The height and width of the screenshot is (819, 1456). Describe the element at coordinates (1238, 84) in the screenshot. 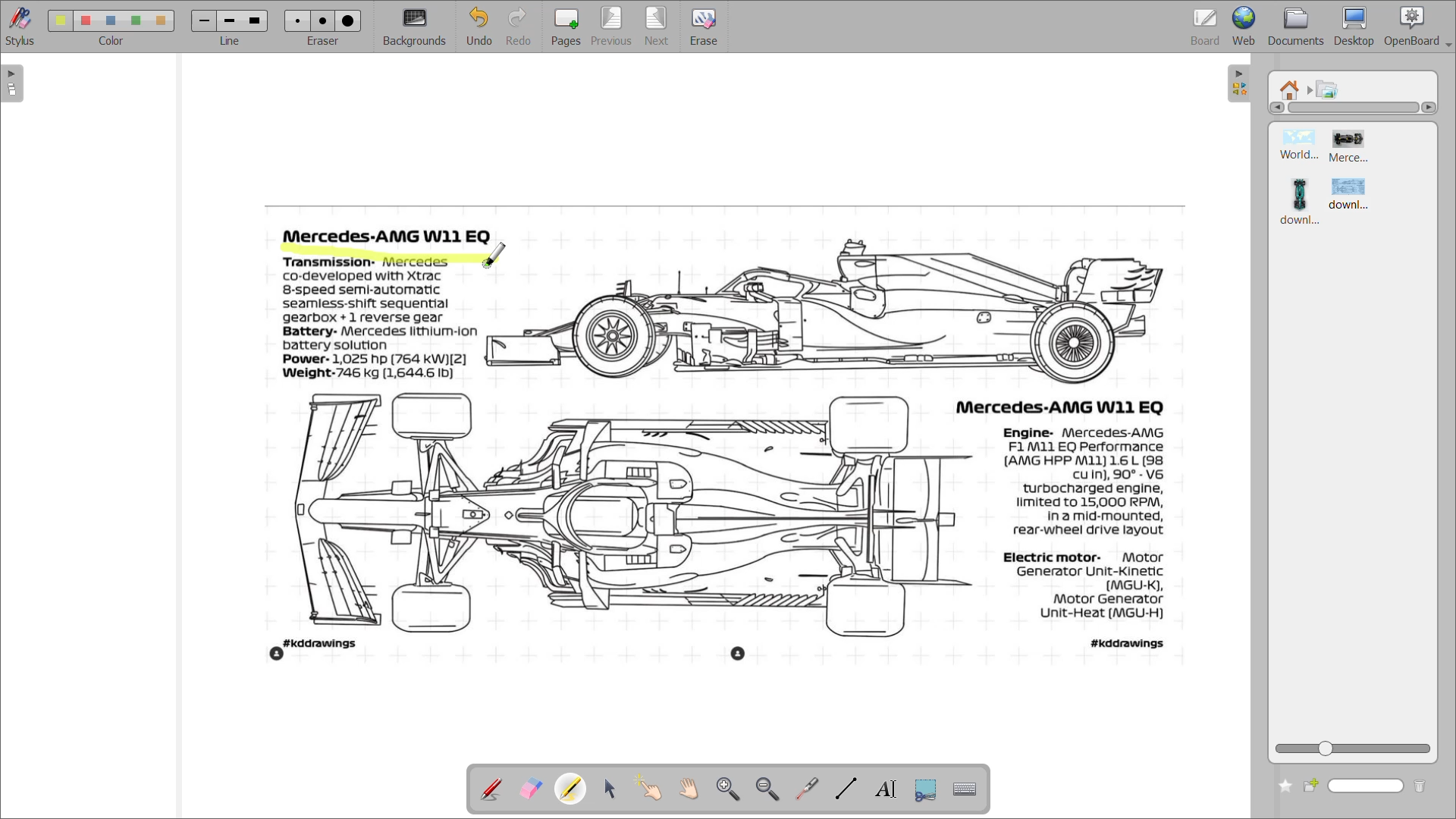

I see `collapse` at that location.